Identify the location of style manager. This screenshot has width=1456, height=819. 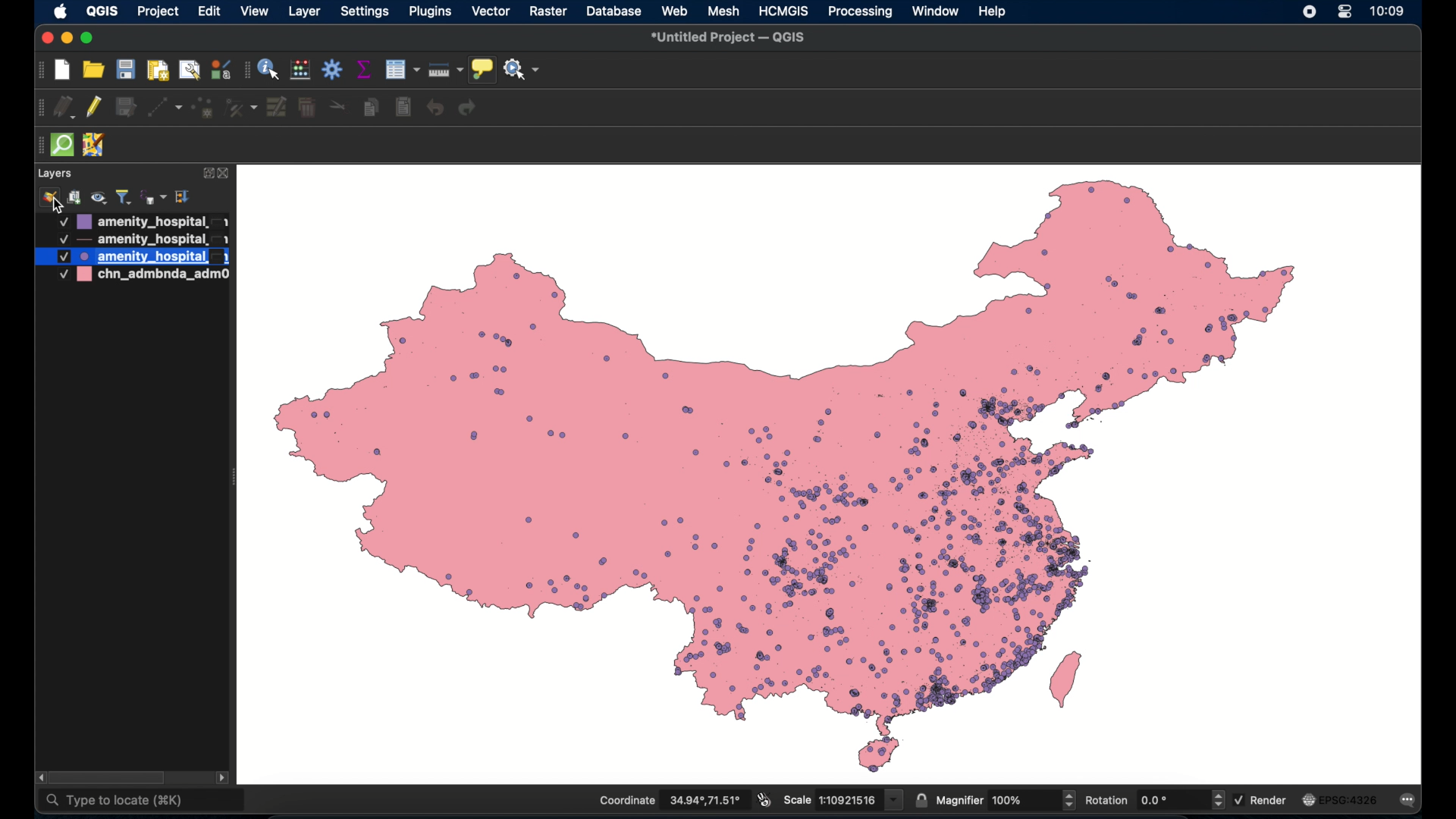
(48, 197).